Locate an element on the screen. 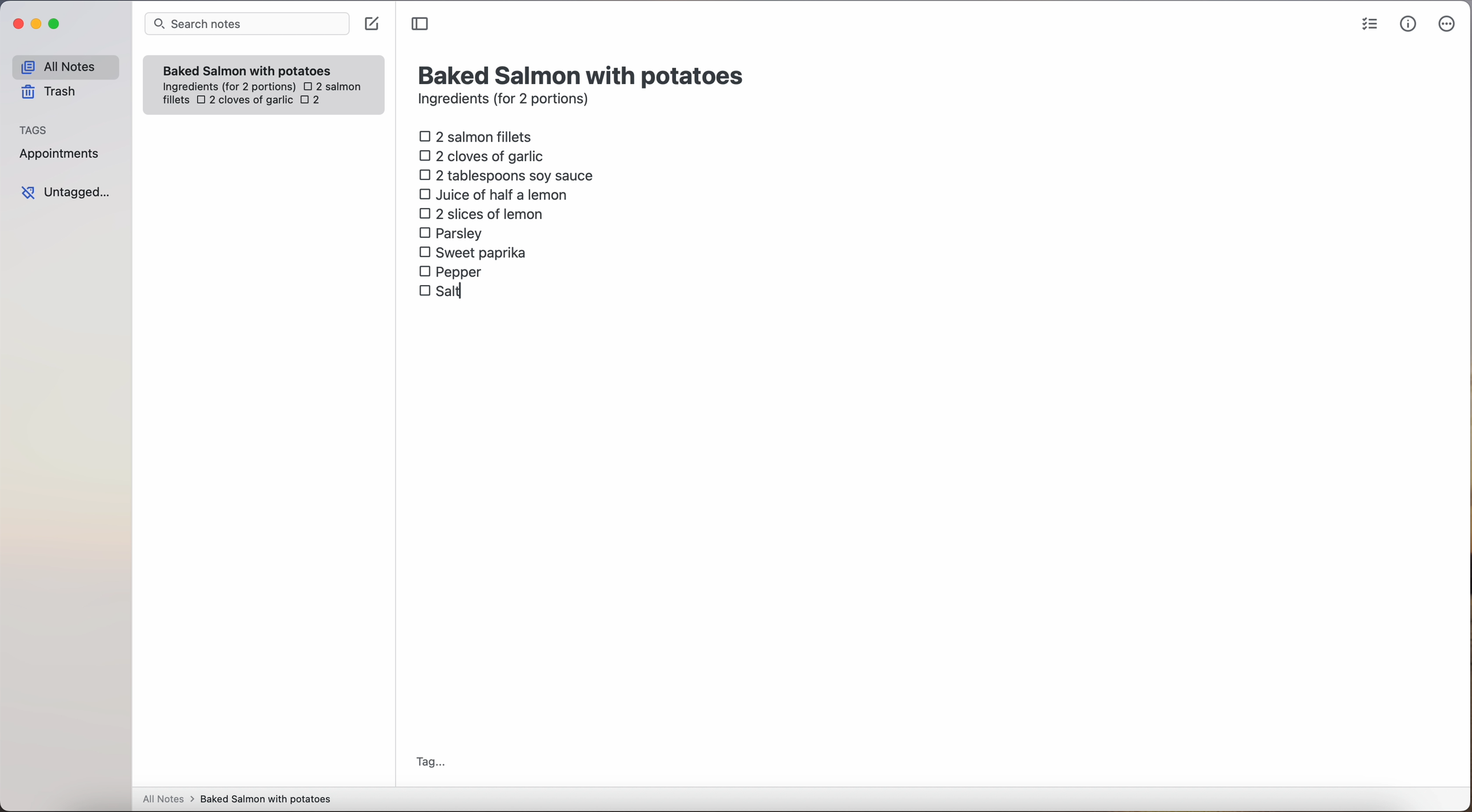 The width and height of the screenshot is (1472, 812). 2 salmon fillets is located at coordinates (479, 135).